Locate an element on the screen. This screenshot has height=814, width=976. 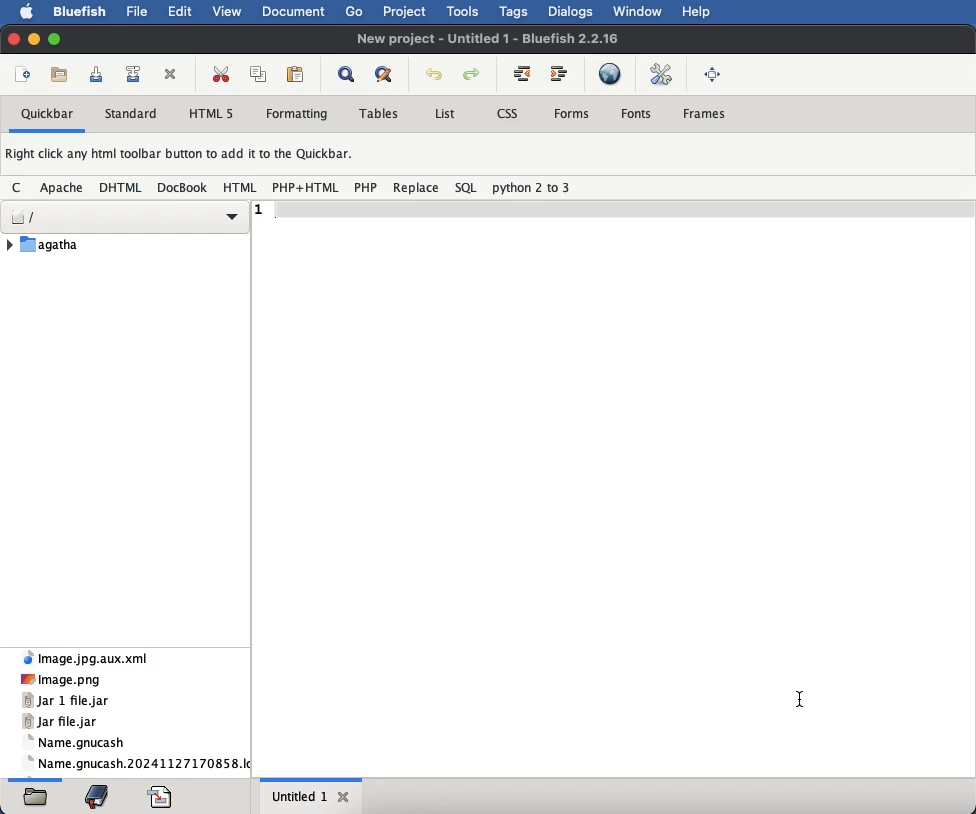
file is located at coordinates (140, 12).